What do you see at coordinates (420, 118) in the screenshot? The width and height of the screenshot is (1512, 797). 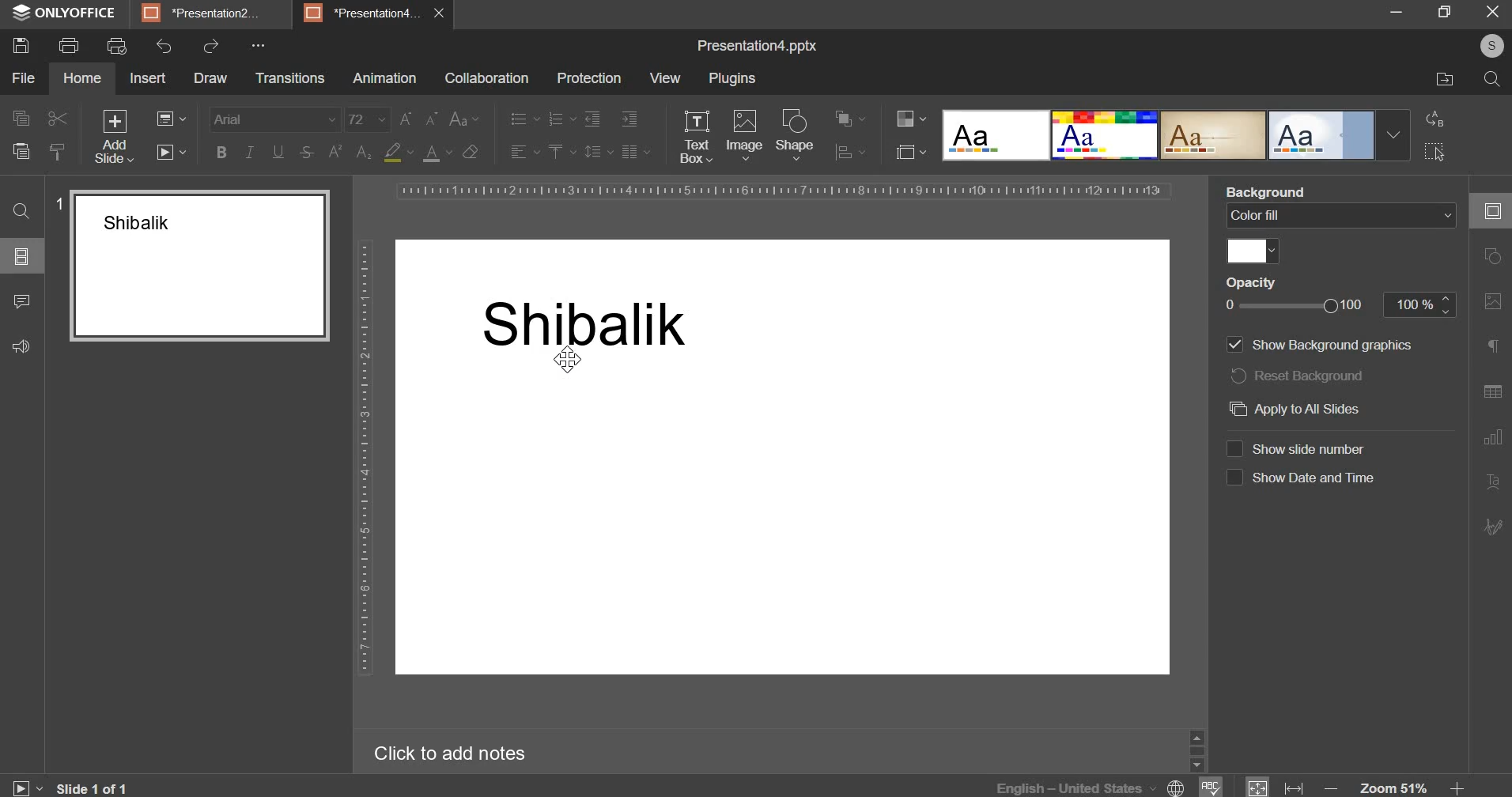 I see `change font size` at bounding box center [420, 118].